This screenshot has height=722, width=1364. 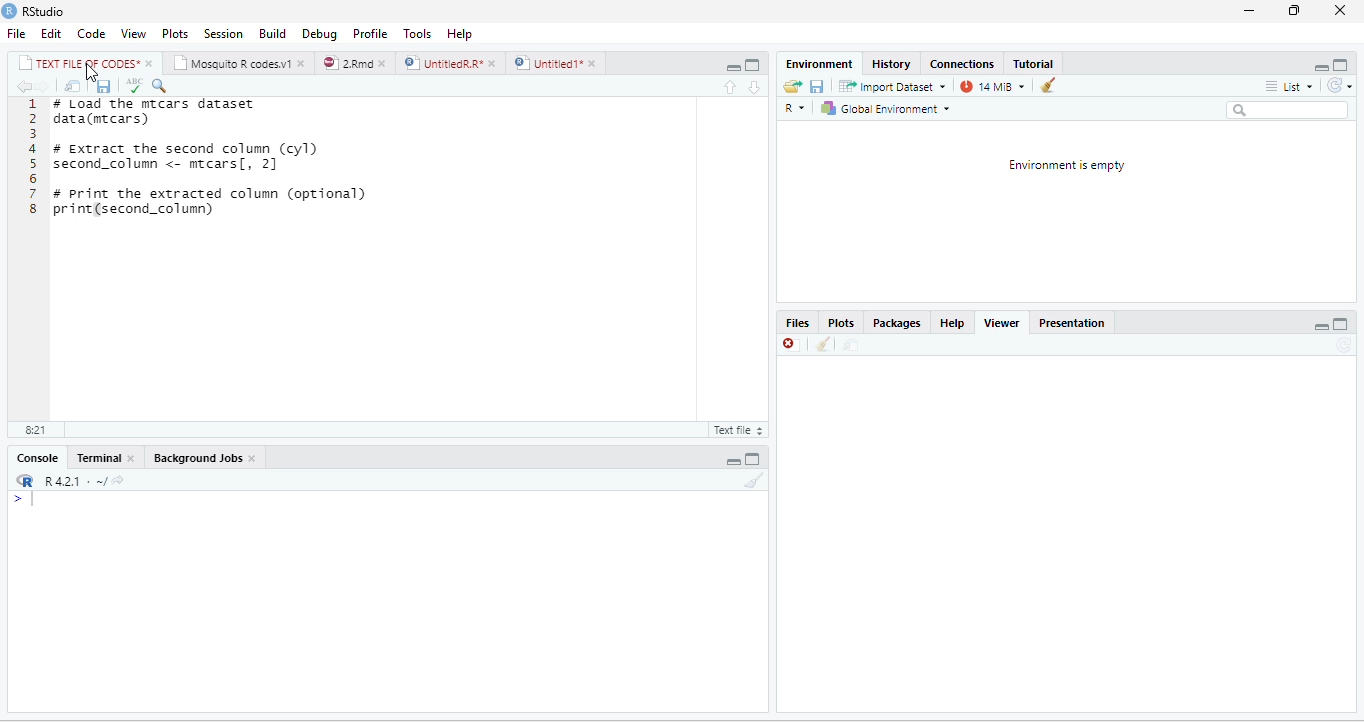 I want to click on search, so click(x=1288, y=109).